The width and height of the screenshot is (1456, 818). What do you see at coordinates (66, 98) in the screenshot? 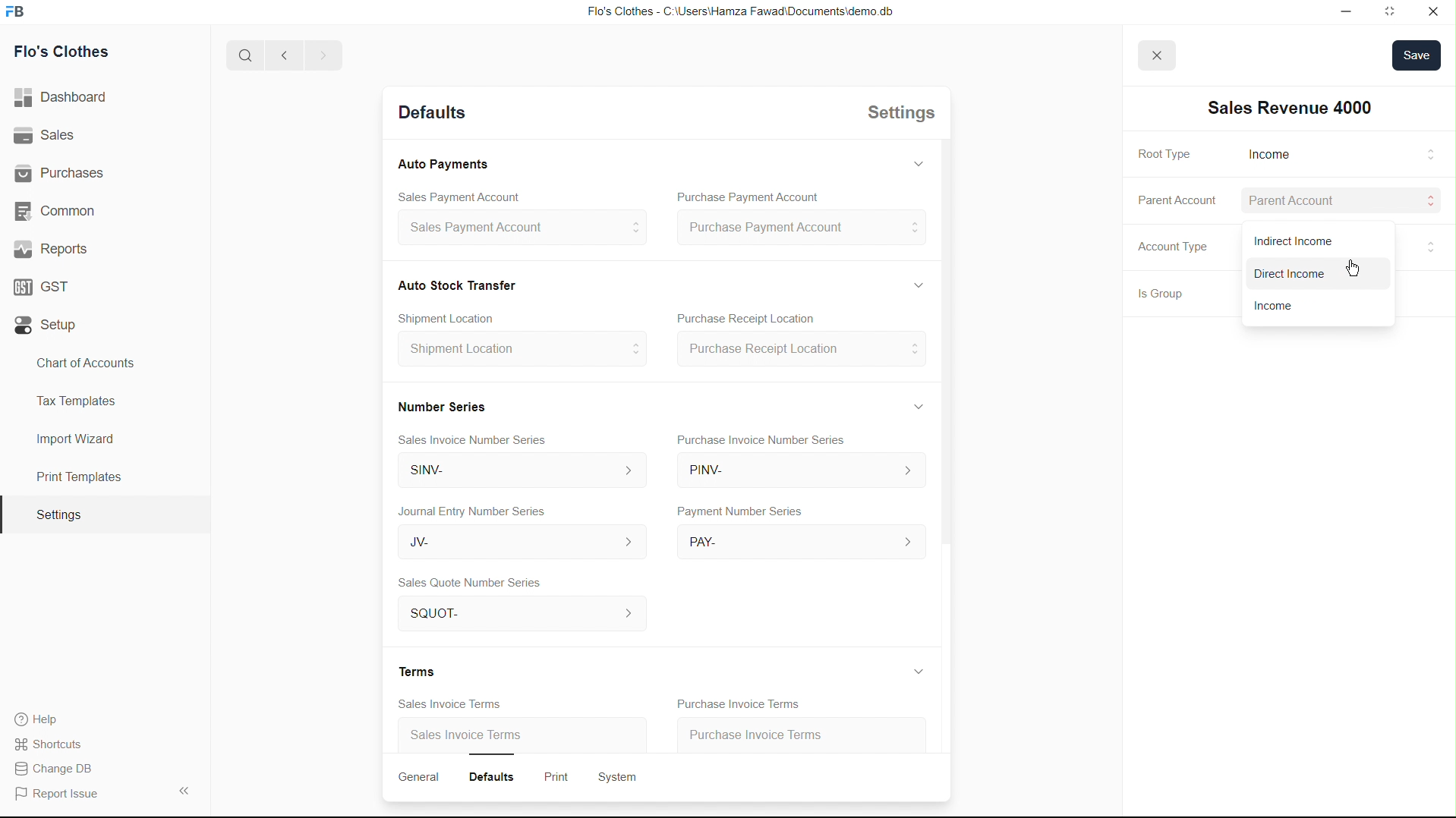
I see `Dashboard` at bounding box center [66, 98].